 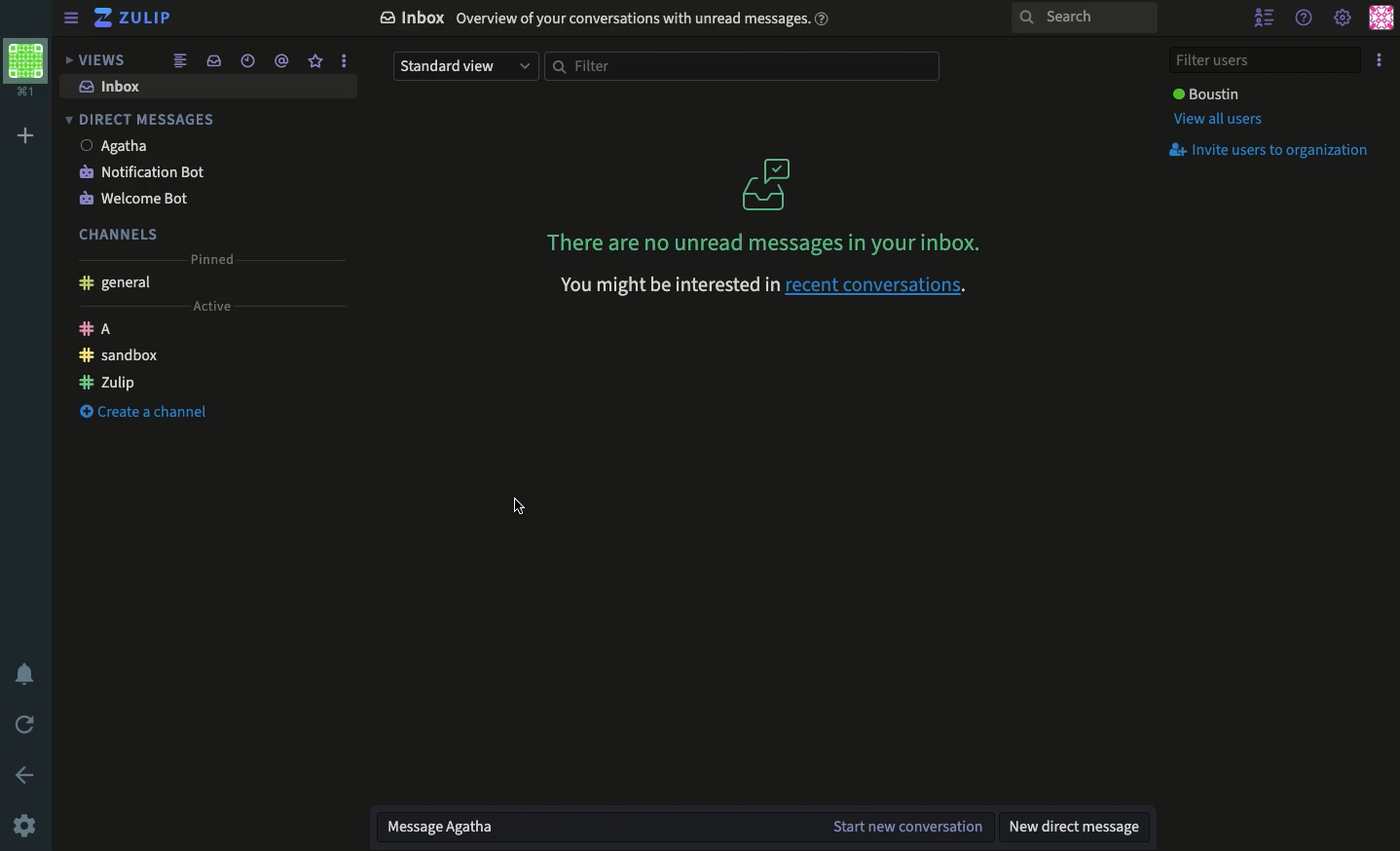 What do you see at coordinates (1345, 18) in the screenshot?
I see `Settings` at bounding box center [1345, 18].